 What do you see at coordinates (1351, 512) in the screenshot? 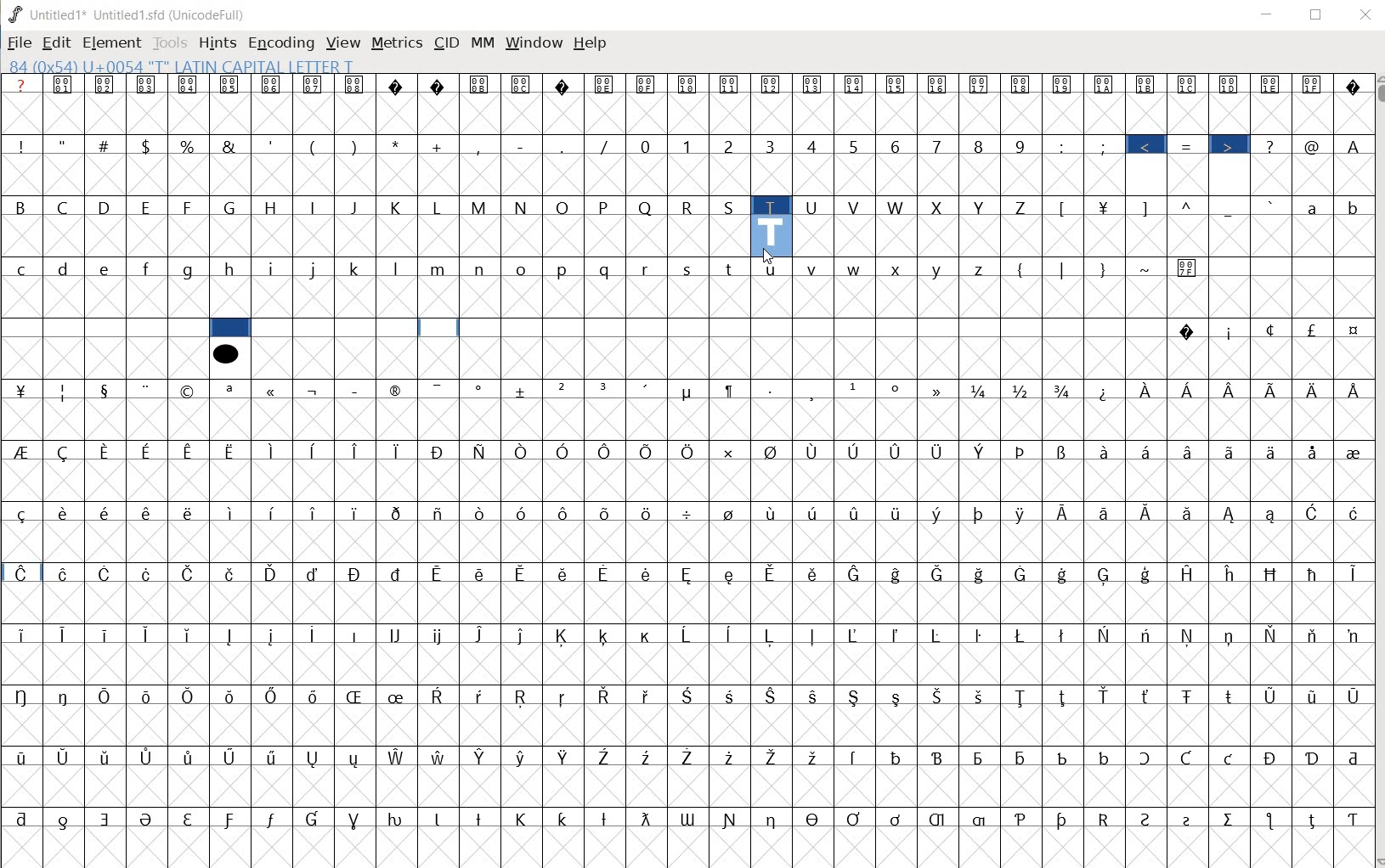
I see `Symbol` at bounding box center [1351, 512].